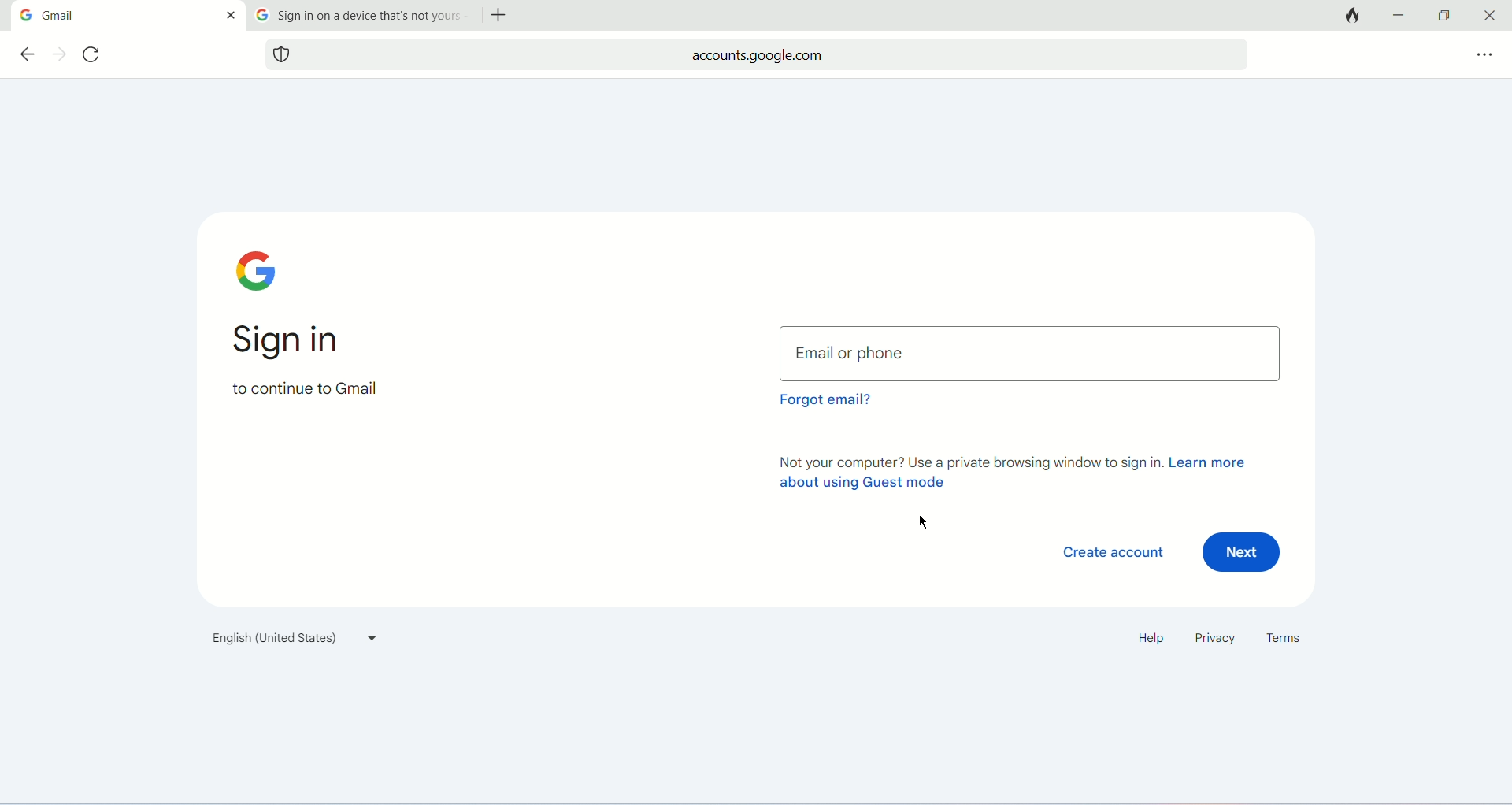 Image resolution: width=1512 pixels, height=805 pixels. I want to click on close tabs and clear data, so click(1350, 17).